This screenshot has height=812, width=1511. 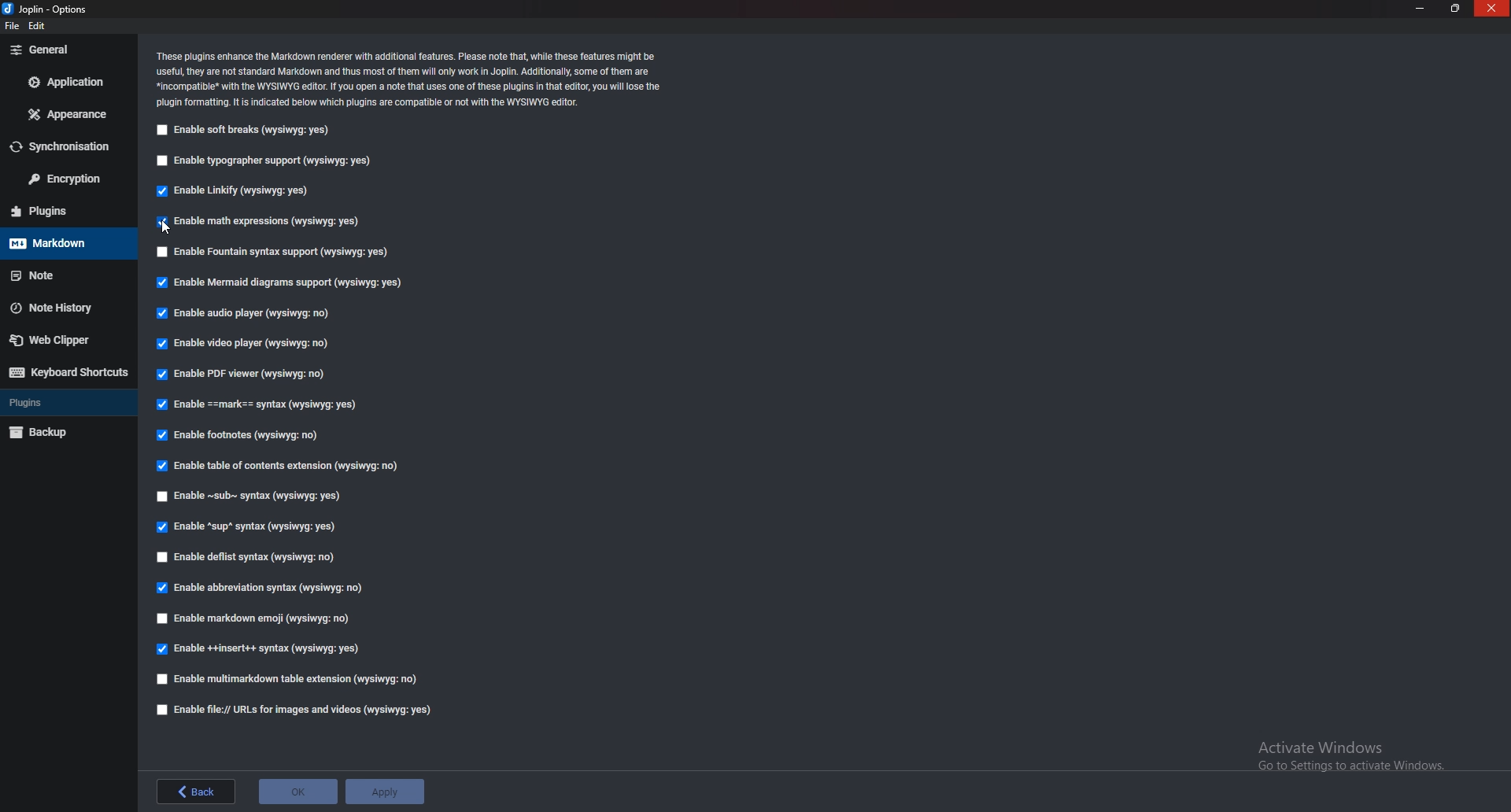 What do you see at coordinates (66, 373) in the screenshot?
I see `Keyboard shortcuts` at bounding box center [66, 373].